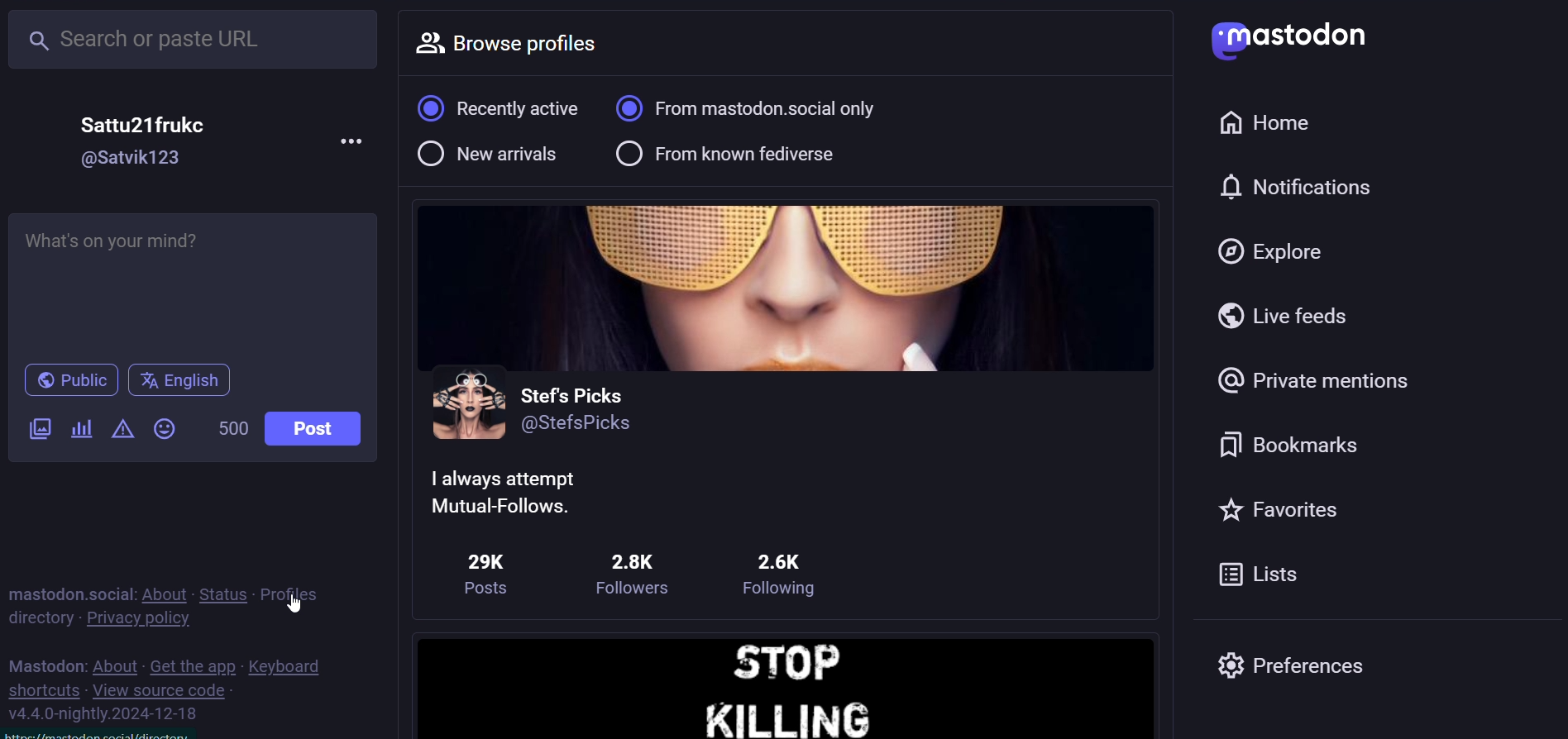 The image size is (1568, 739). What do you see at coordinates (160, 592) in the screenshot?
I see `about` at bounding box center [160, 592].